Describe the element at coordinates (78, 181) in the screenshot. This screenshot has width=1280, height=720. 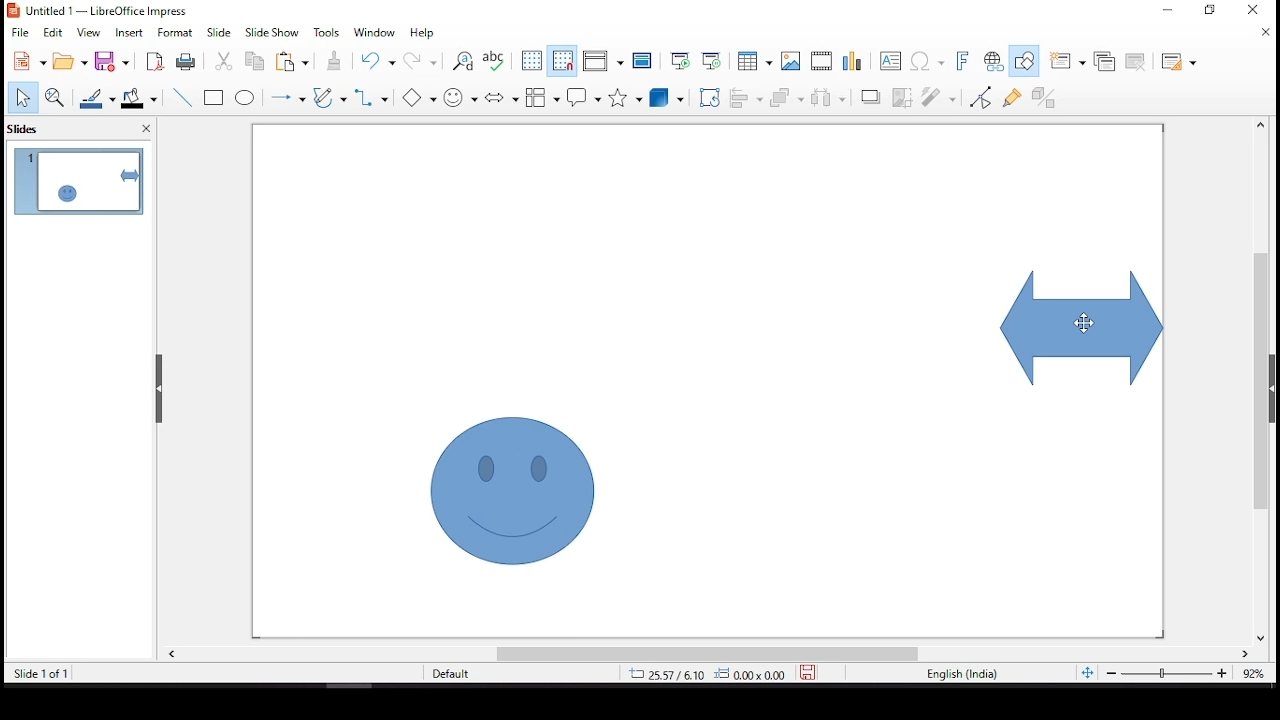
I see `slide 1` at that location.